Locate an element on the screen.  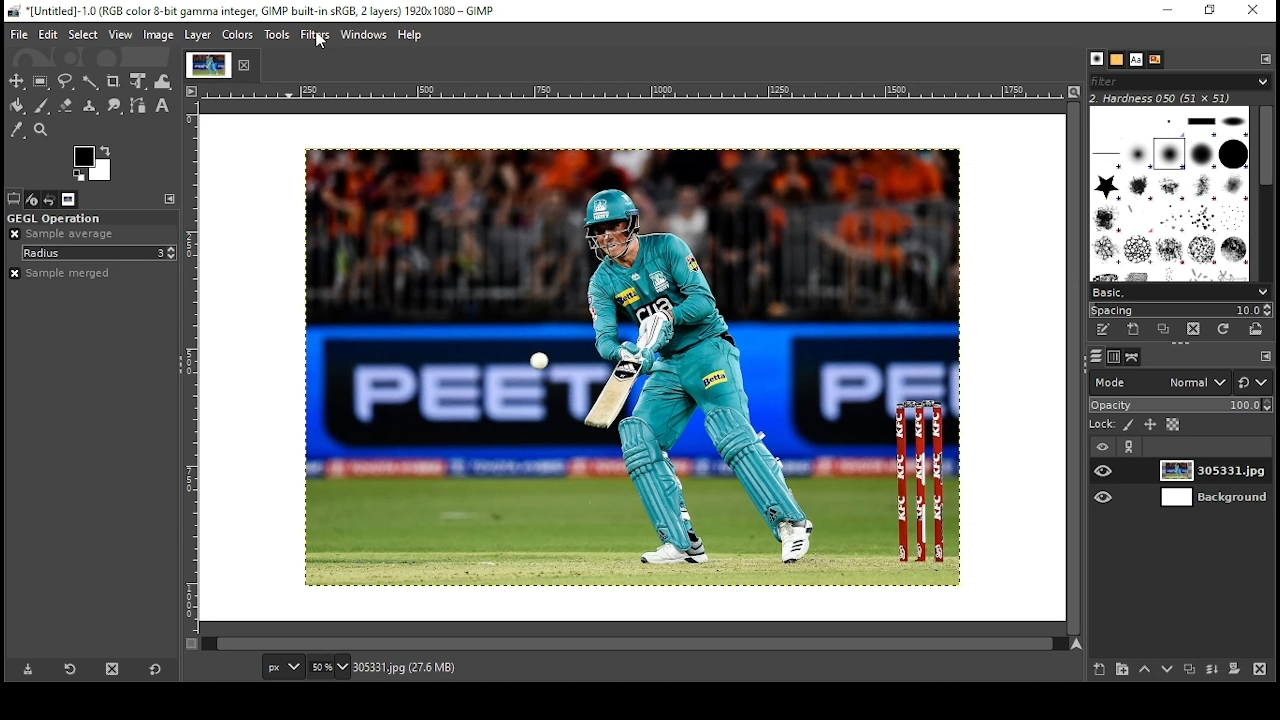
channels is located at coordinates (1115, 358).